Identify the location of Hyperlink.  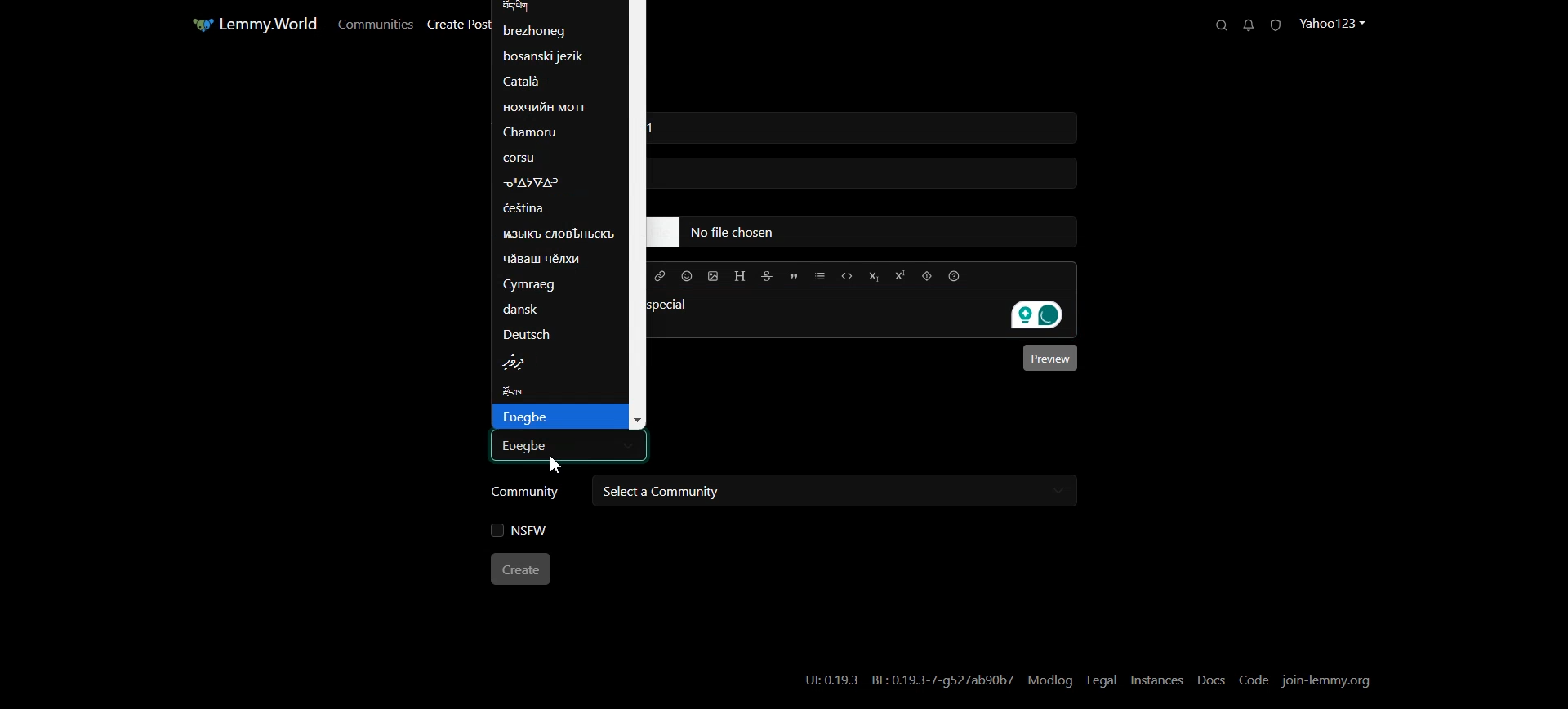
(661, 276).